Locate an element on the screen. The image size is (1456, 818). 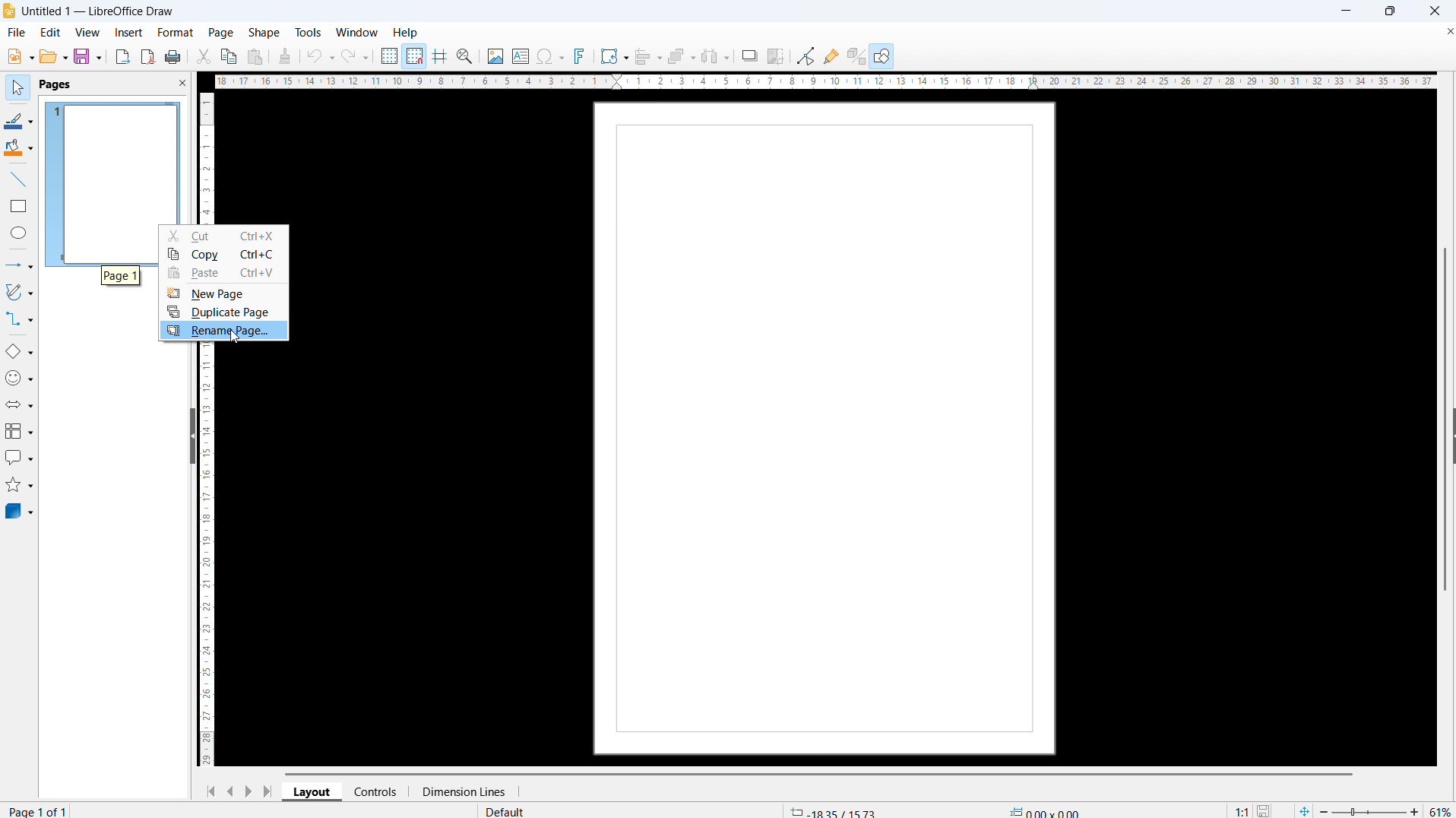
close is located at coordinates (1435, 11).